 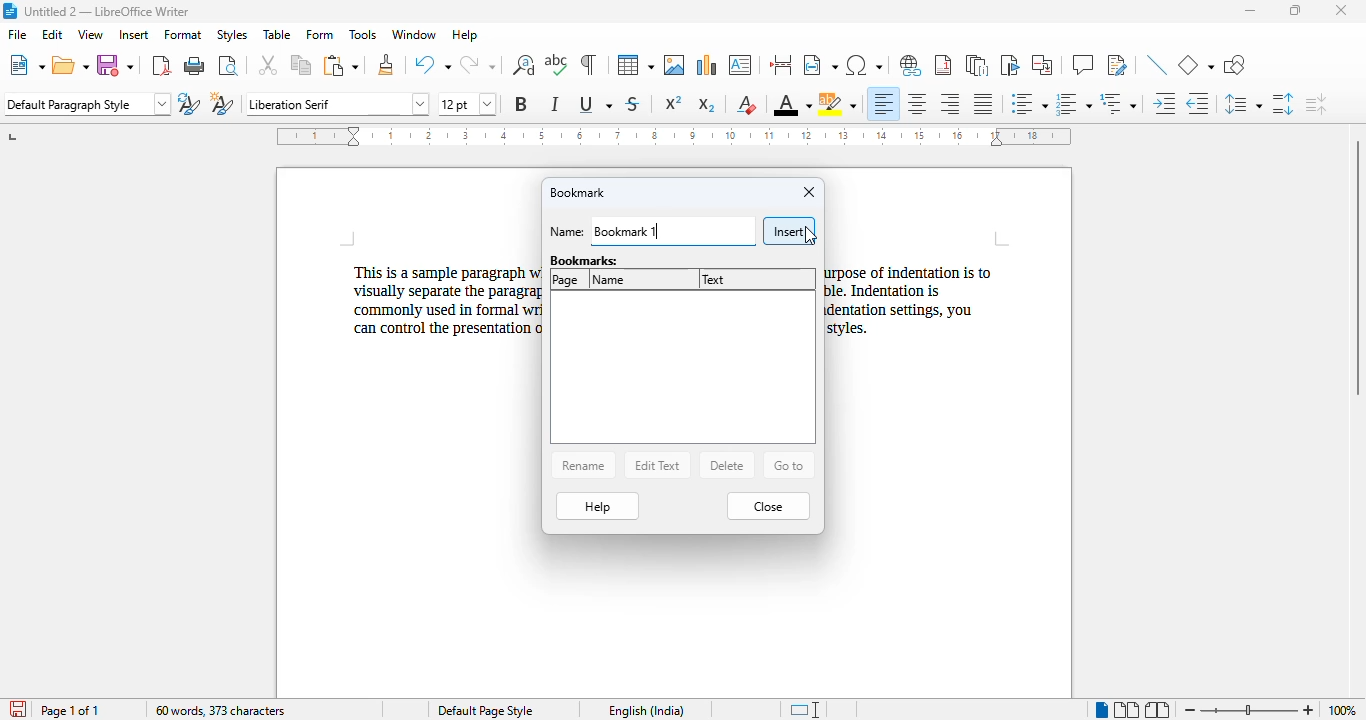 I want to click on open, so click(x=71, y=66).